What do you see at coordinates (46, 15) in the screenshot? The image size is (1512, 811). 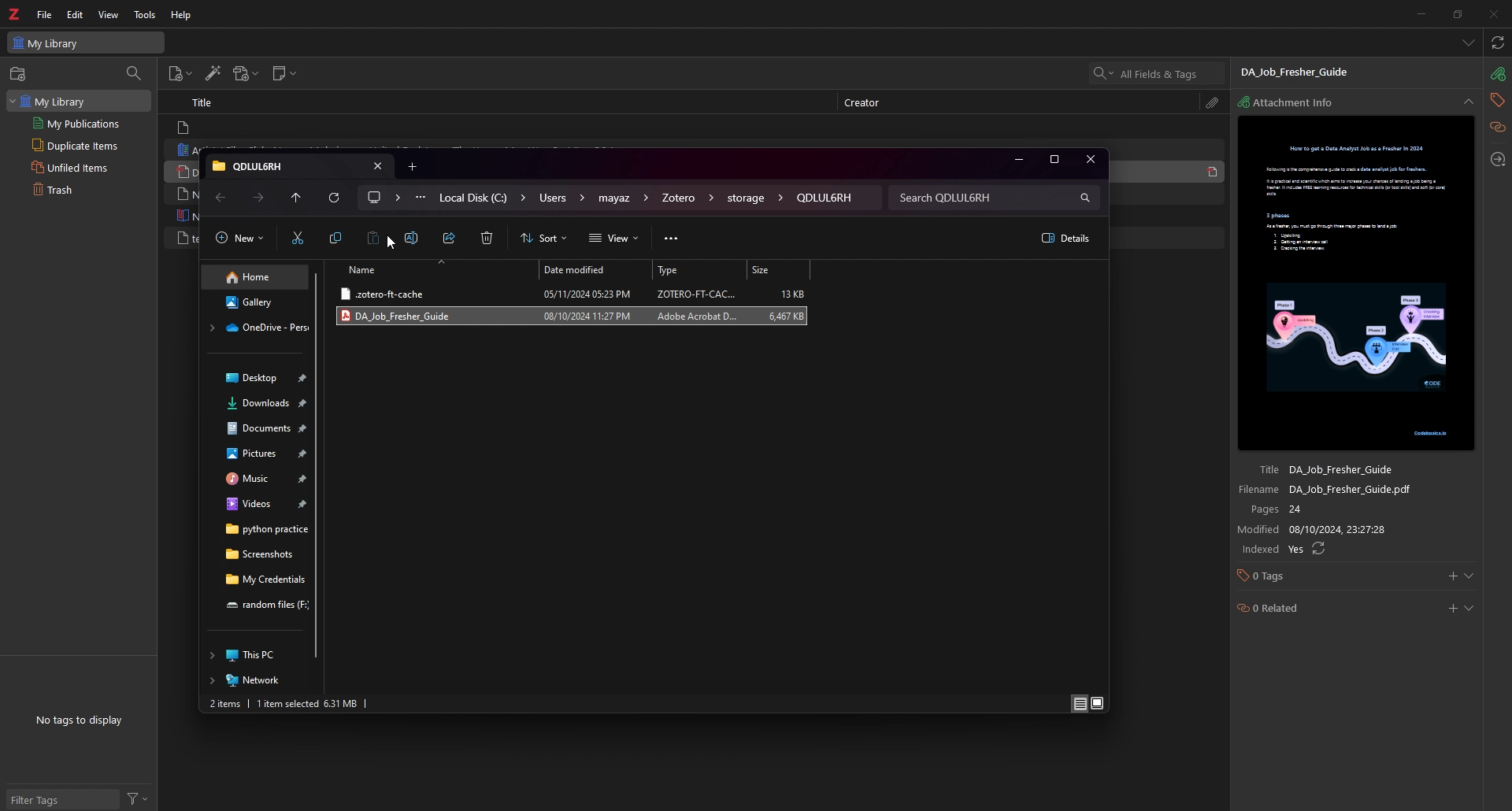 I see `file` at bounding box center [46, 15].